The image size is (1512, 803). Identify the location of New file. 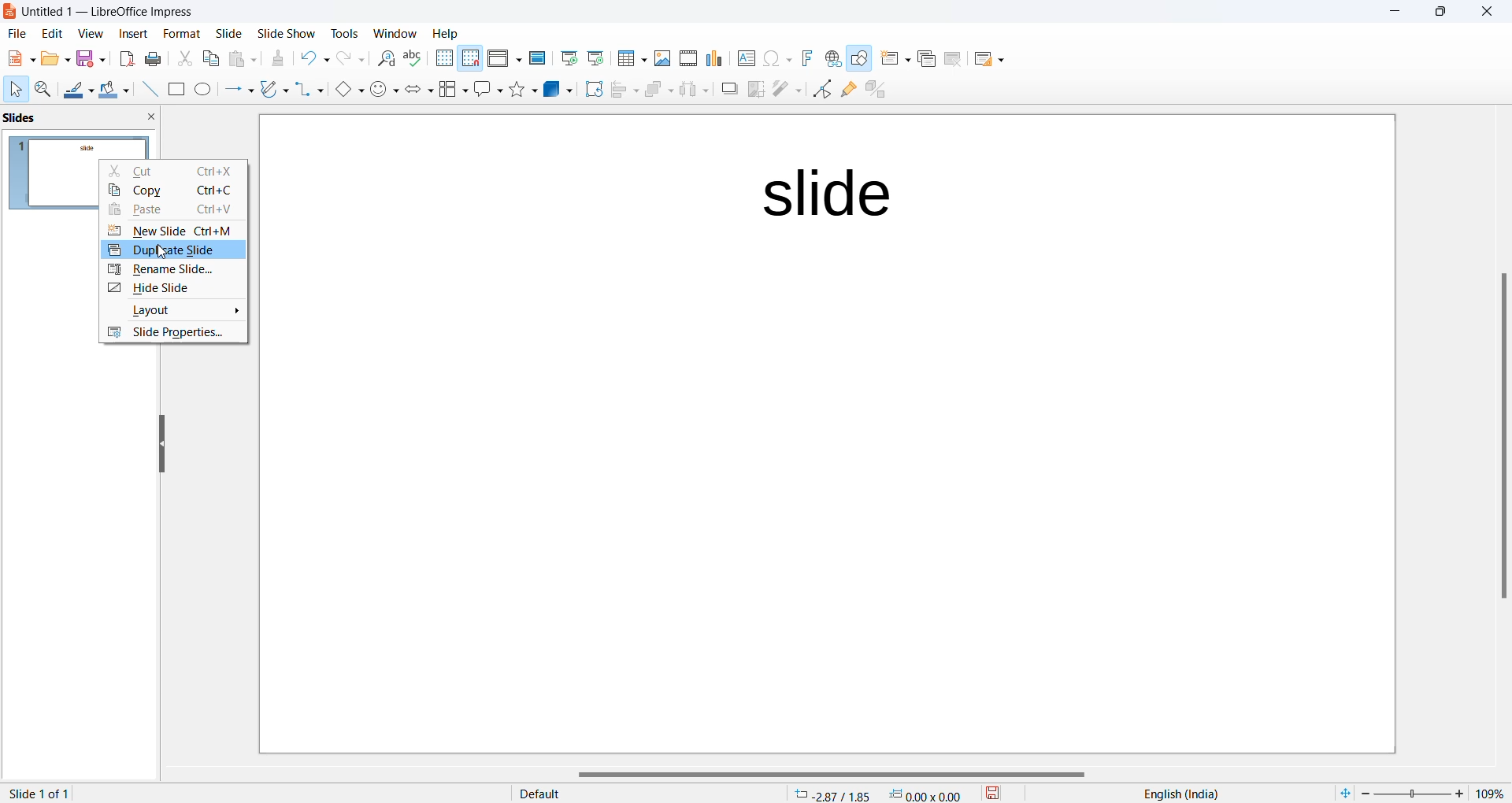
(54, 58).